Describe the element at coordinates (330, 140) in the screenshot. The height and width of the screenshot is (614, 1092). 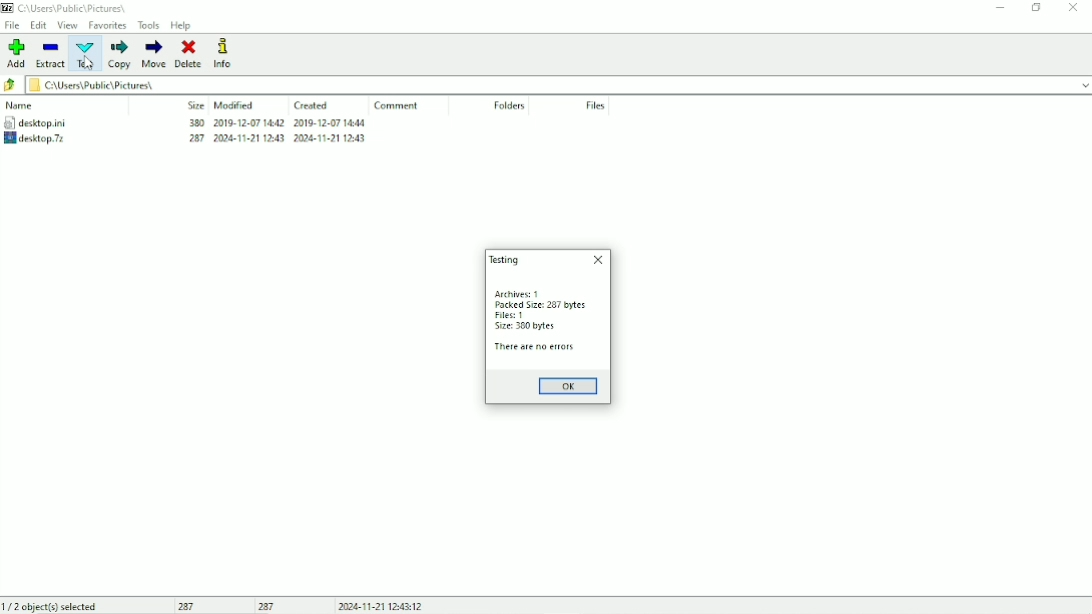
I see `2024-11-21 1243` at that location.